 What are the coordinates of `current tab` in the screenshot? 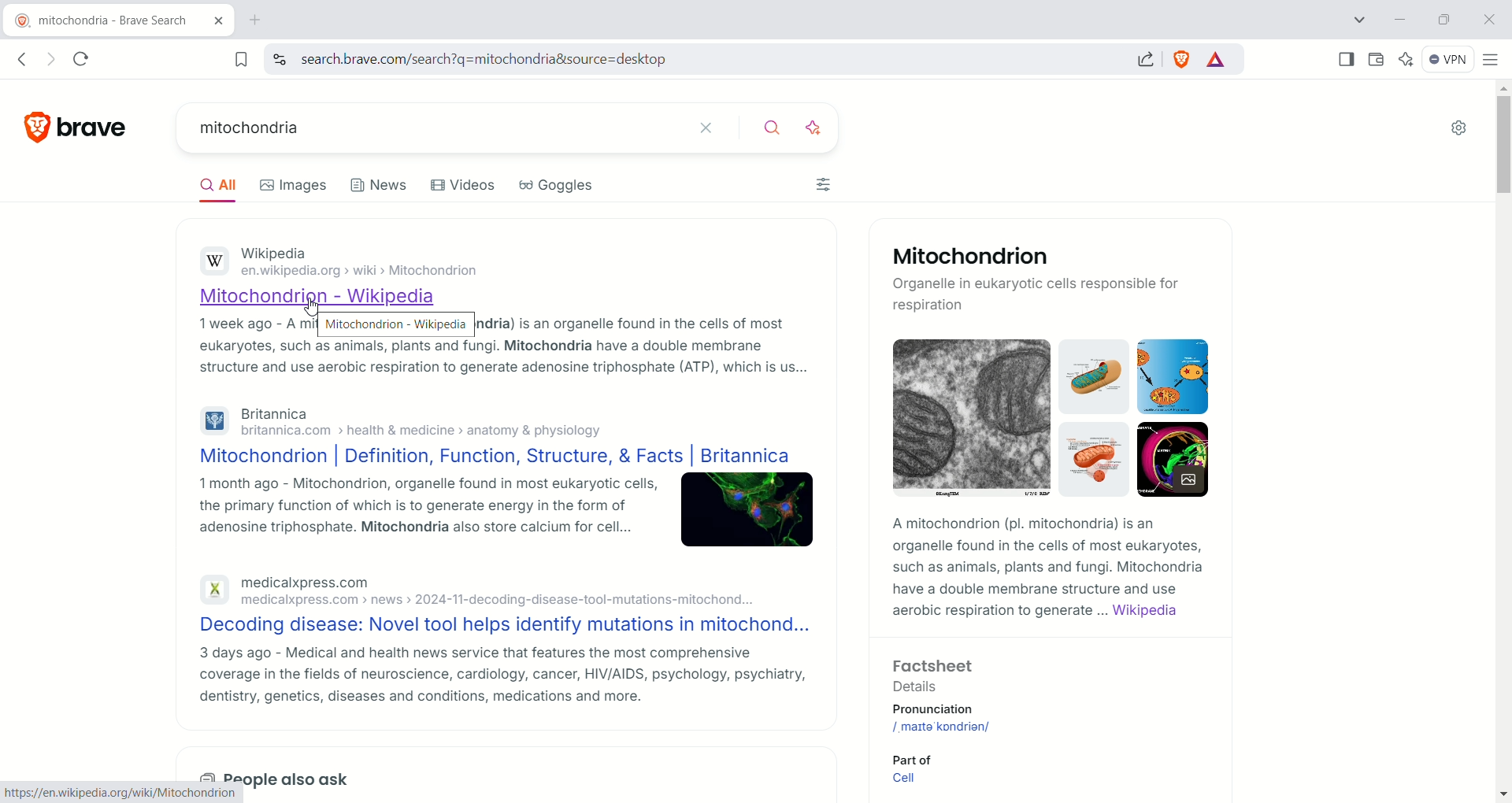 It's located at (119, 20).